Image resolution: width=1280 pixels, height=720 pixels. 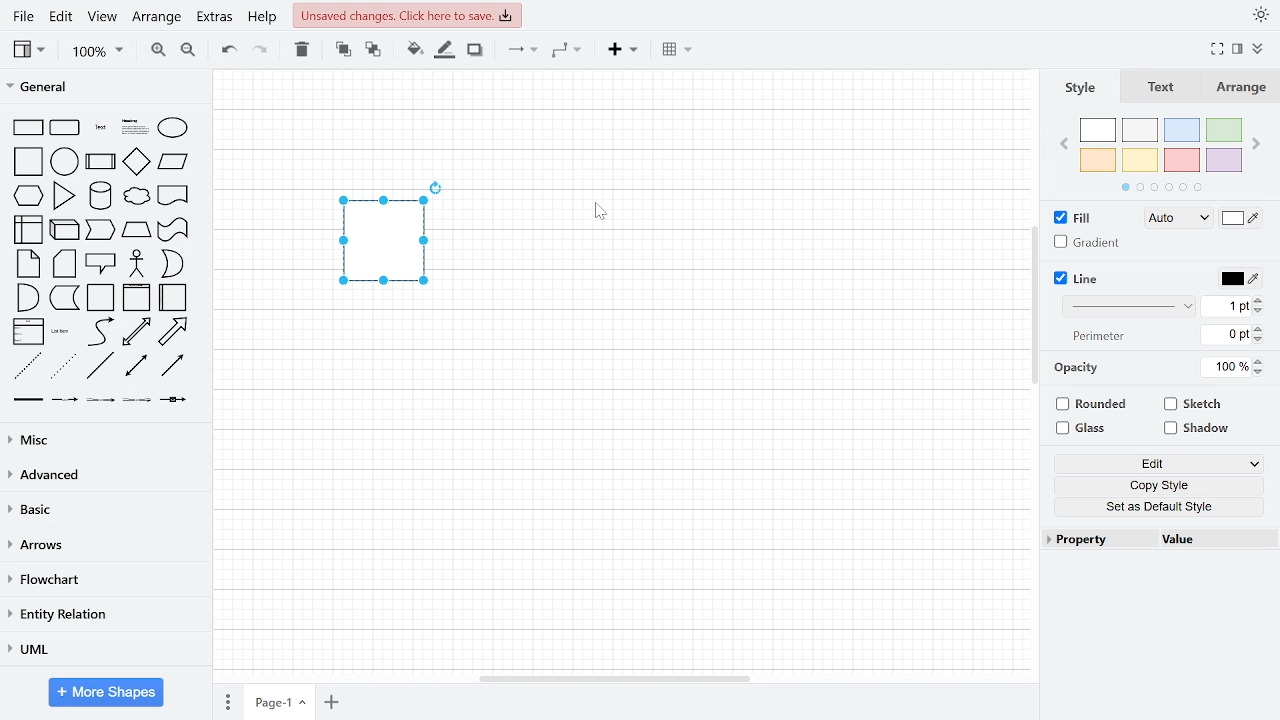 What do you see at coordinates (1078, 368) in the screenshot?
I see `opacity` at bounding box center [1078, 368].